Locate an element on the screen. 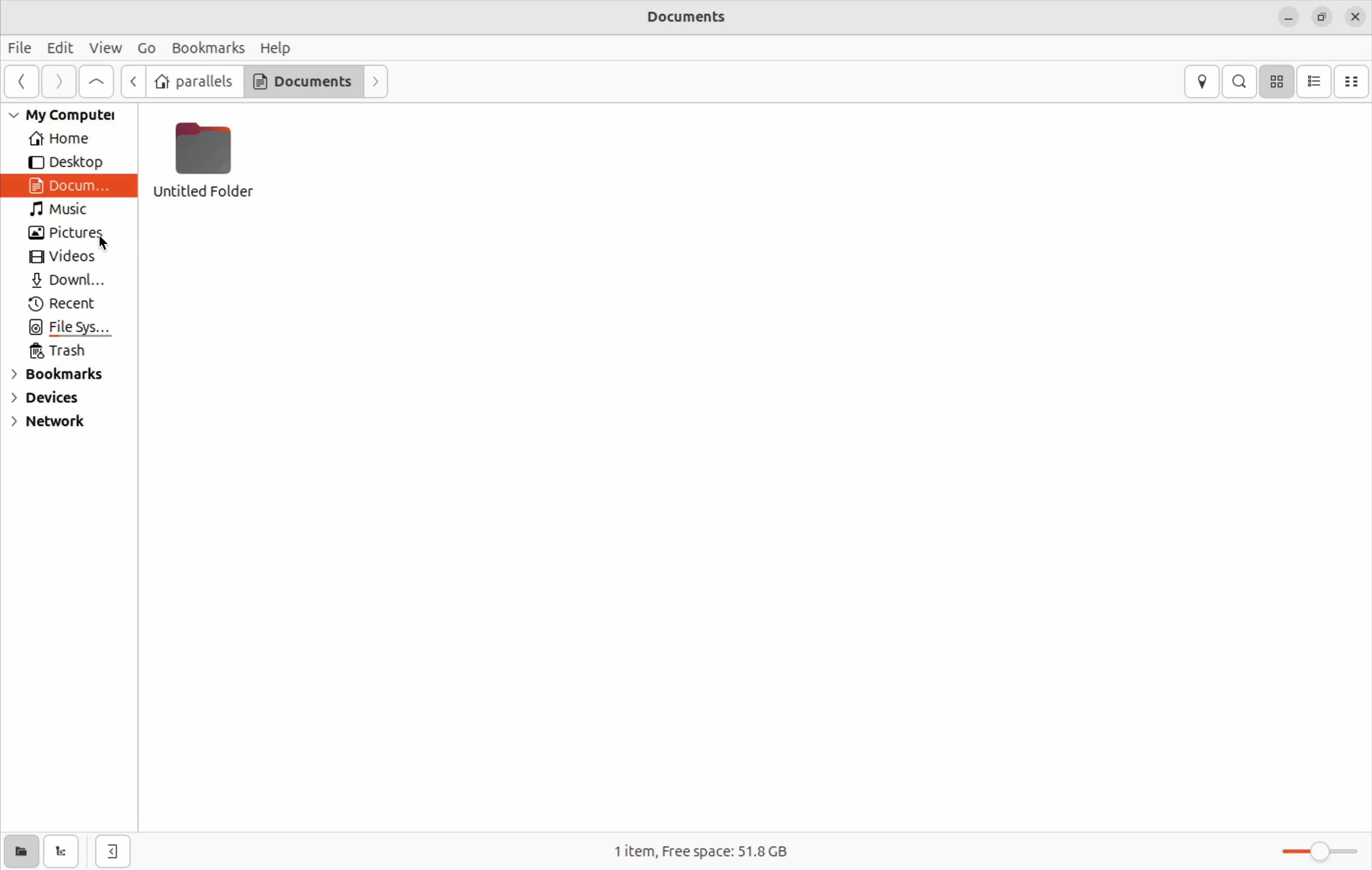  Desktop is located at coordinates (66, 161).